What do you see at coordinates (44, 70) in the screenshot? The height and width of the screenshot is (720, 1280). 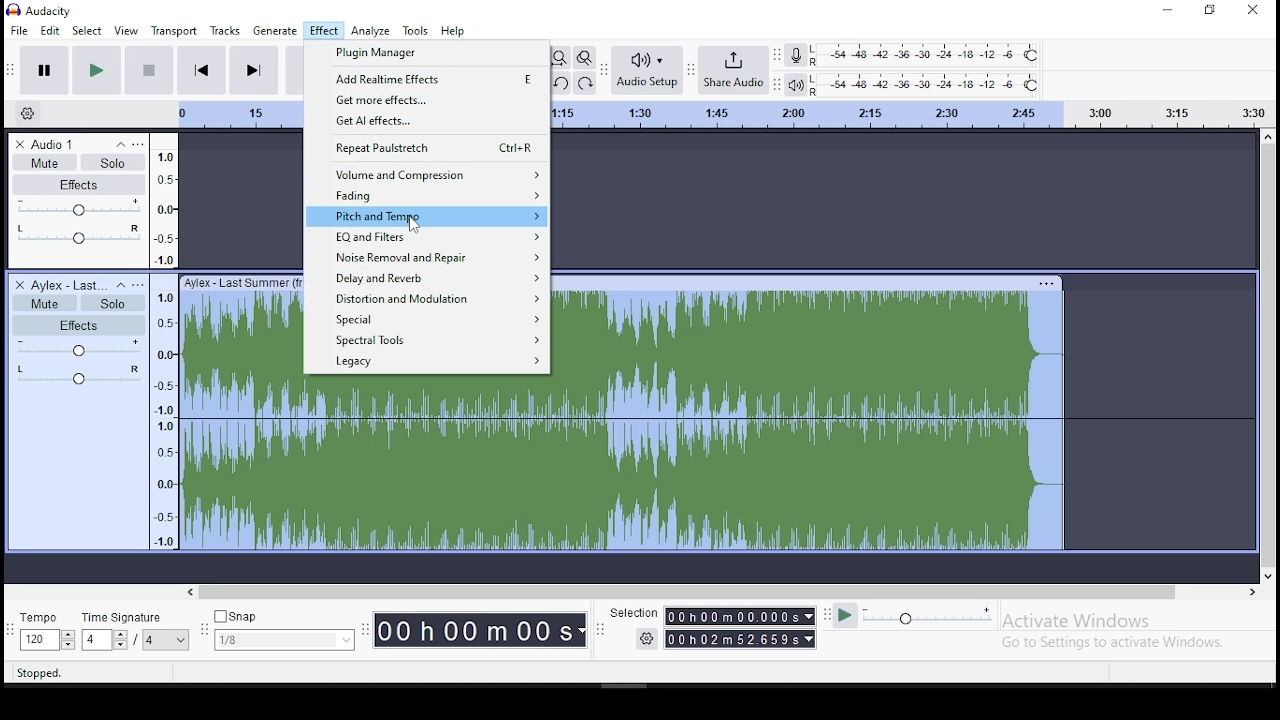 I see `pause` at bounding box center [44, 70].